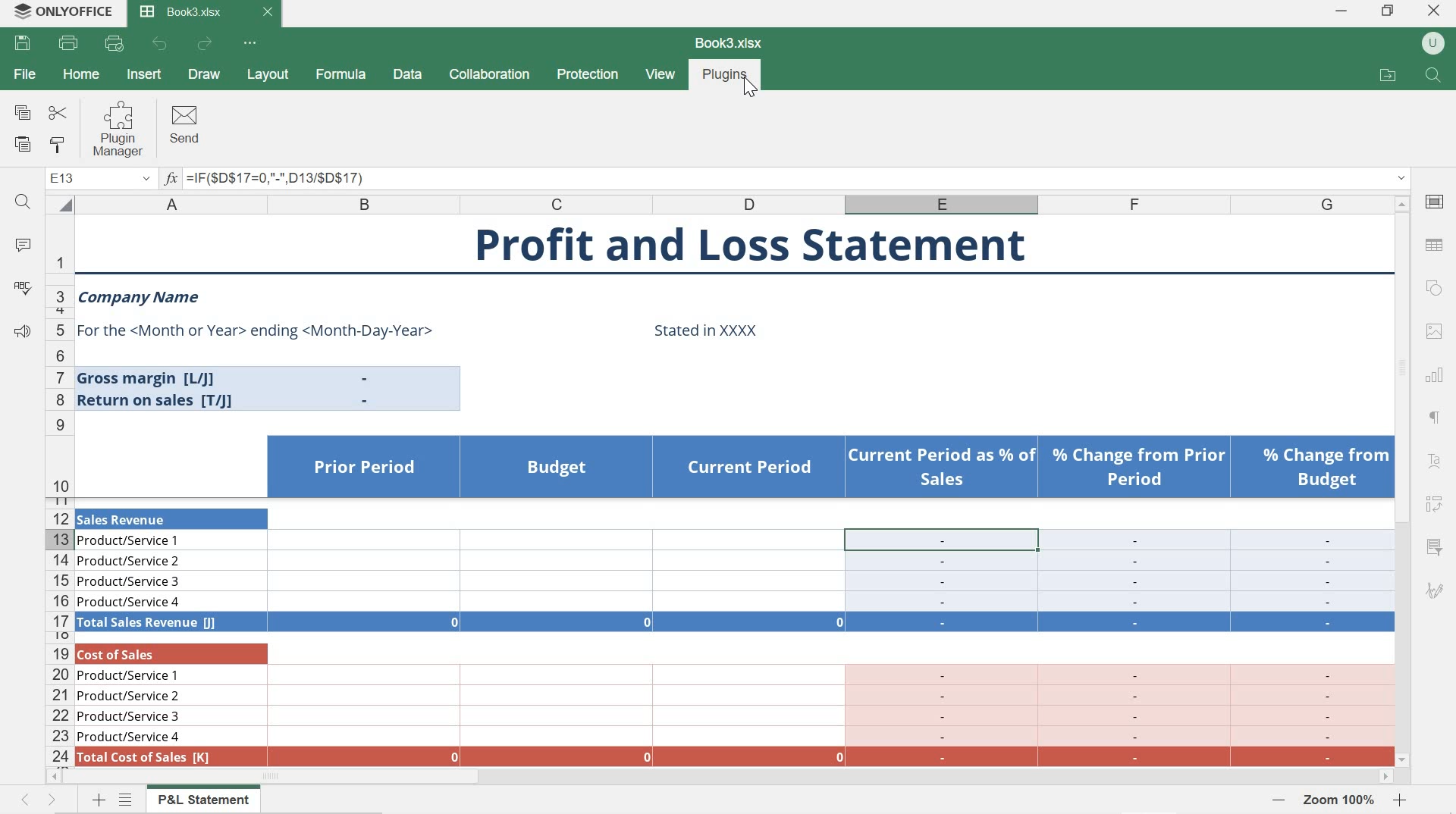 The width and height of the screenshot is (1456, 814). What do you see at coordinates (557, 468) in the screenshot?
I see `Budget` at bounding box center [557, 468].